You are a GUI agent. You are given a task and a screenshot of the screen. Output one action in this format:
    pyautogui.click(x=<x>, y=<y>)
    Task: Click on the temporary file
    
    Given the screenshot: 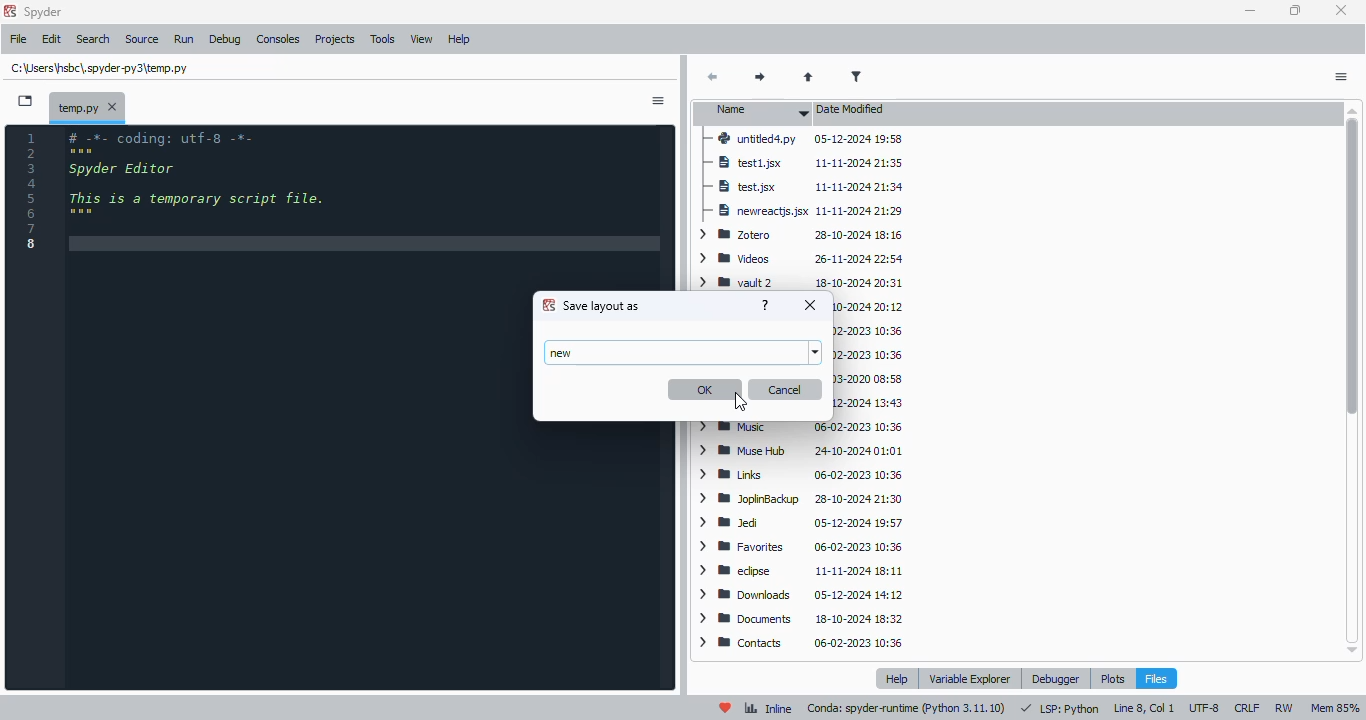 What is the action you would take?
    pyautogui.click(x=87, y=105)
    